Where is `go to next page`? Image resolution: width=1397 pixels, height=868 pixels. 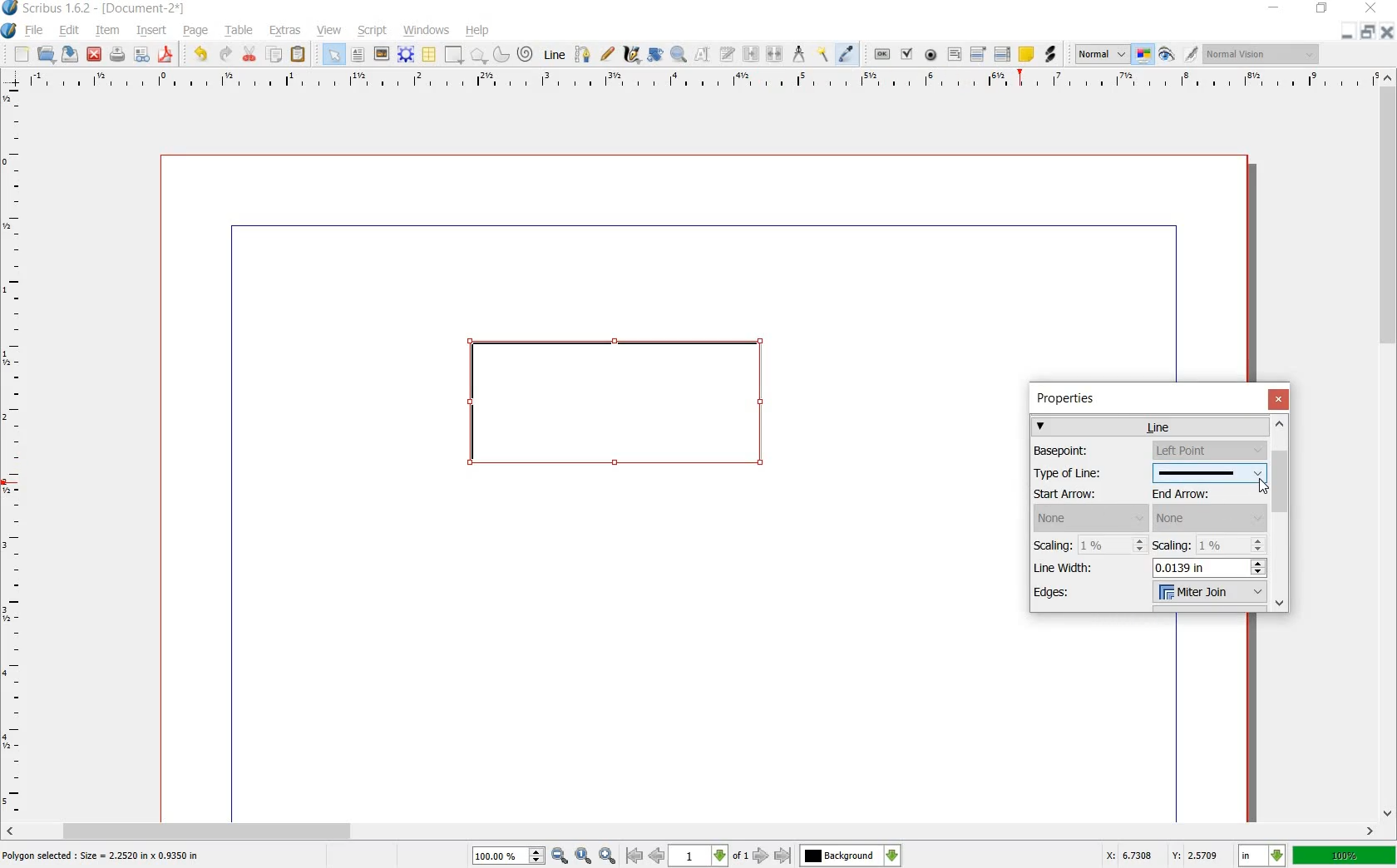
go to next page is located at coordinates (763, 856).